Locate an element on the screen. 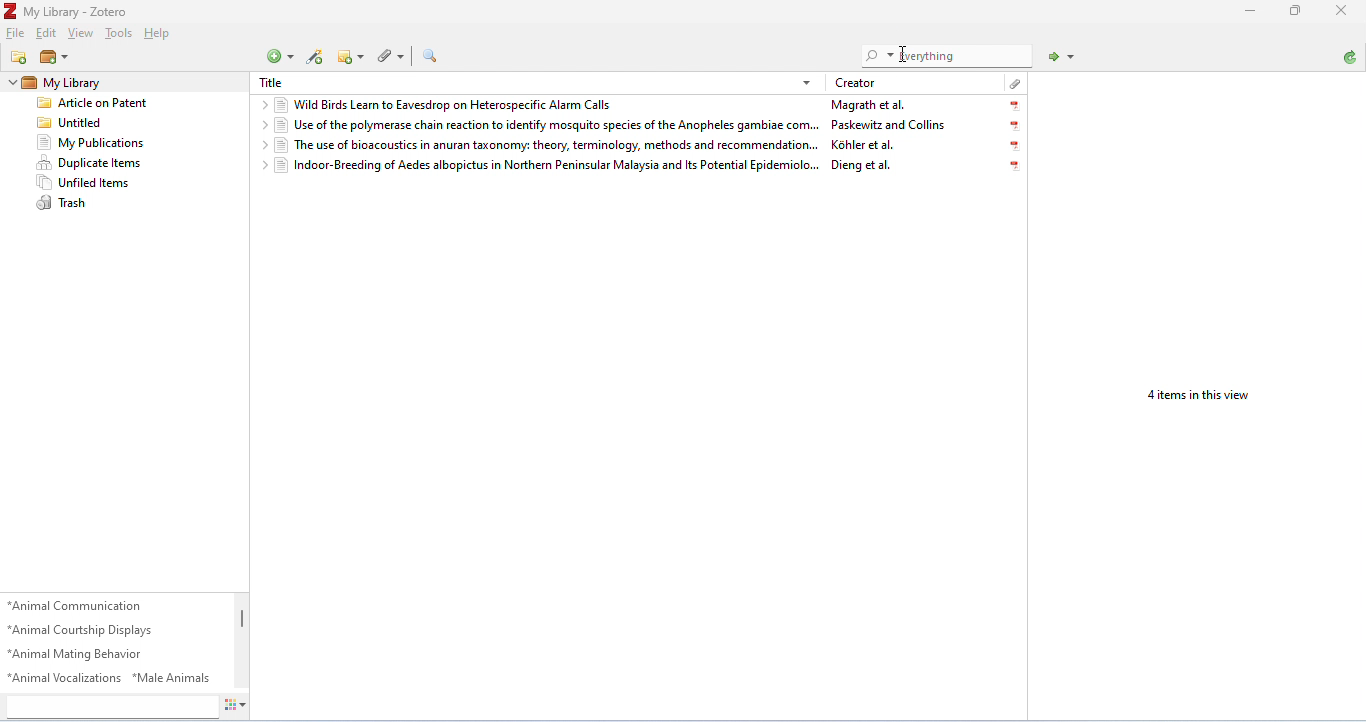  Untitled is located at coordinates (104, 121).